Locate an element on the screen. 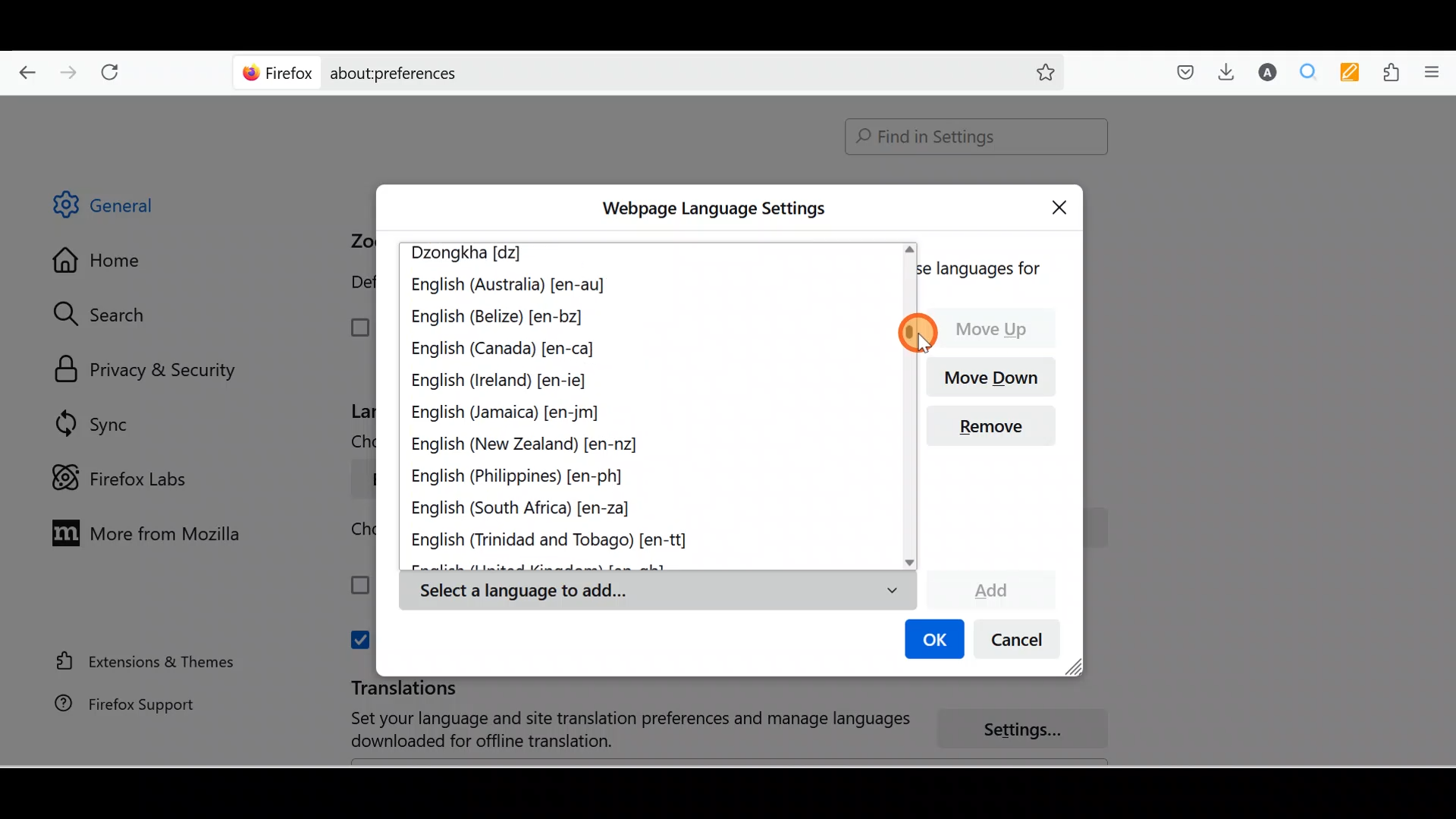 This screenshot has width=1456, height=819. Account is located at coordinates (1264, 72).